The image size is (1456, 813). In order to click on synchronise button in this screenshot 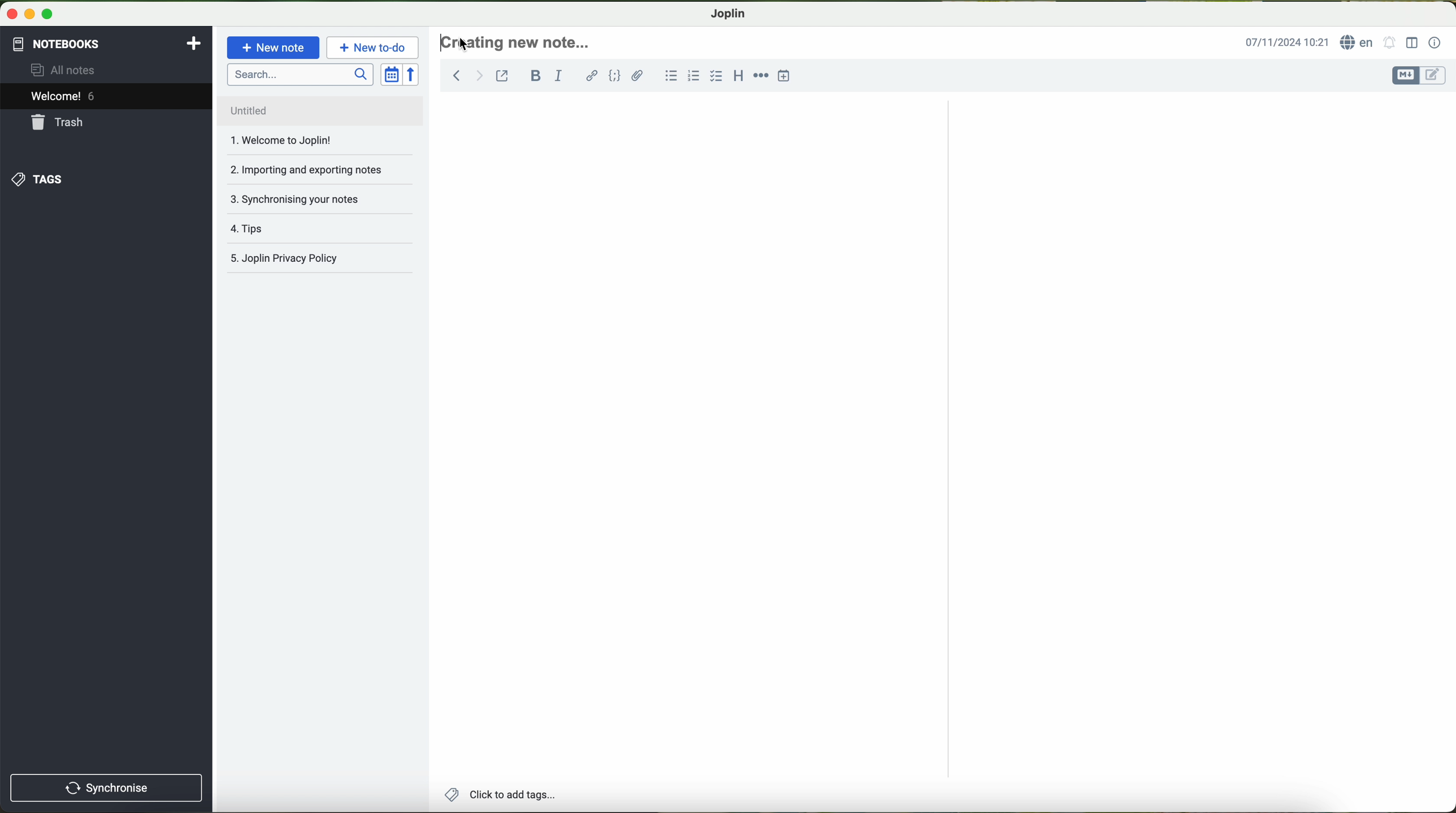, I will do `click(107, 788)`.